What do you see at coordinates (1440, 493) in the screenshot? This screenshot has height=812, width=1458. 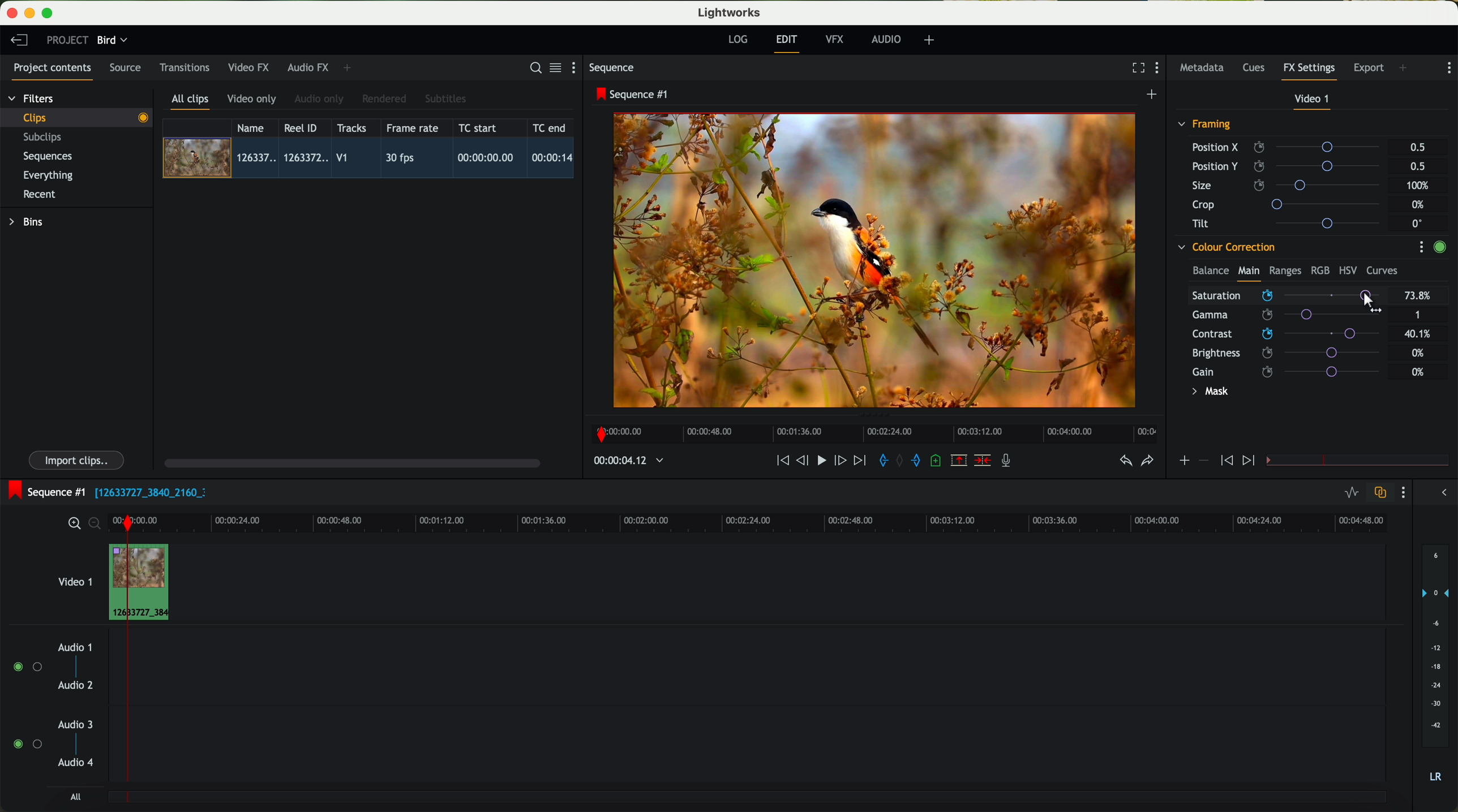 I see `show/hide the full audio mix` at bounding box center [1440, 493].